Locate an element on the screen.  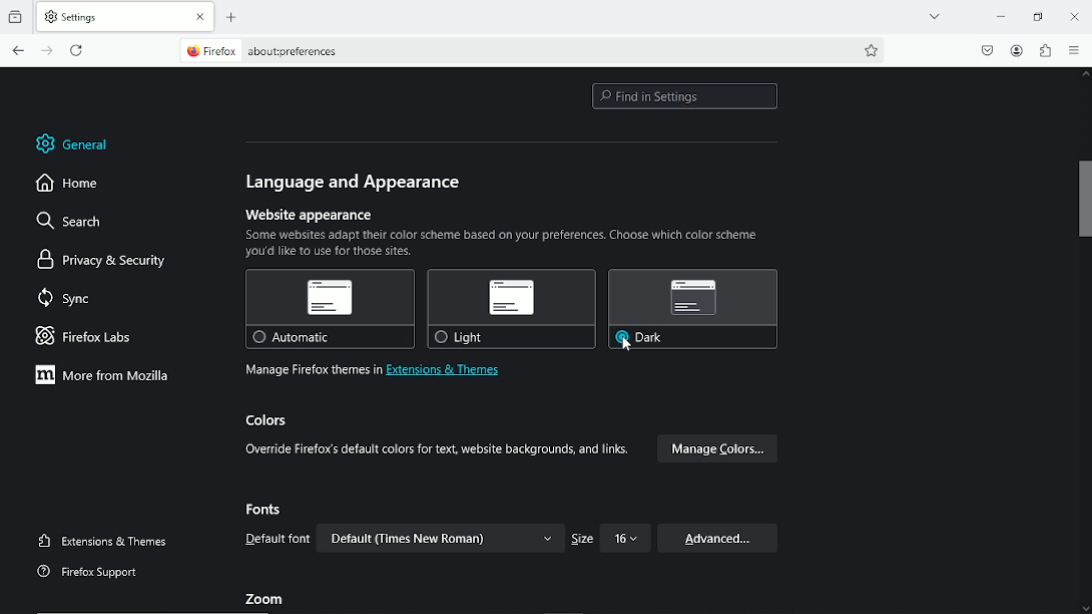
home is located at coordinates (66, 183).